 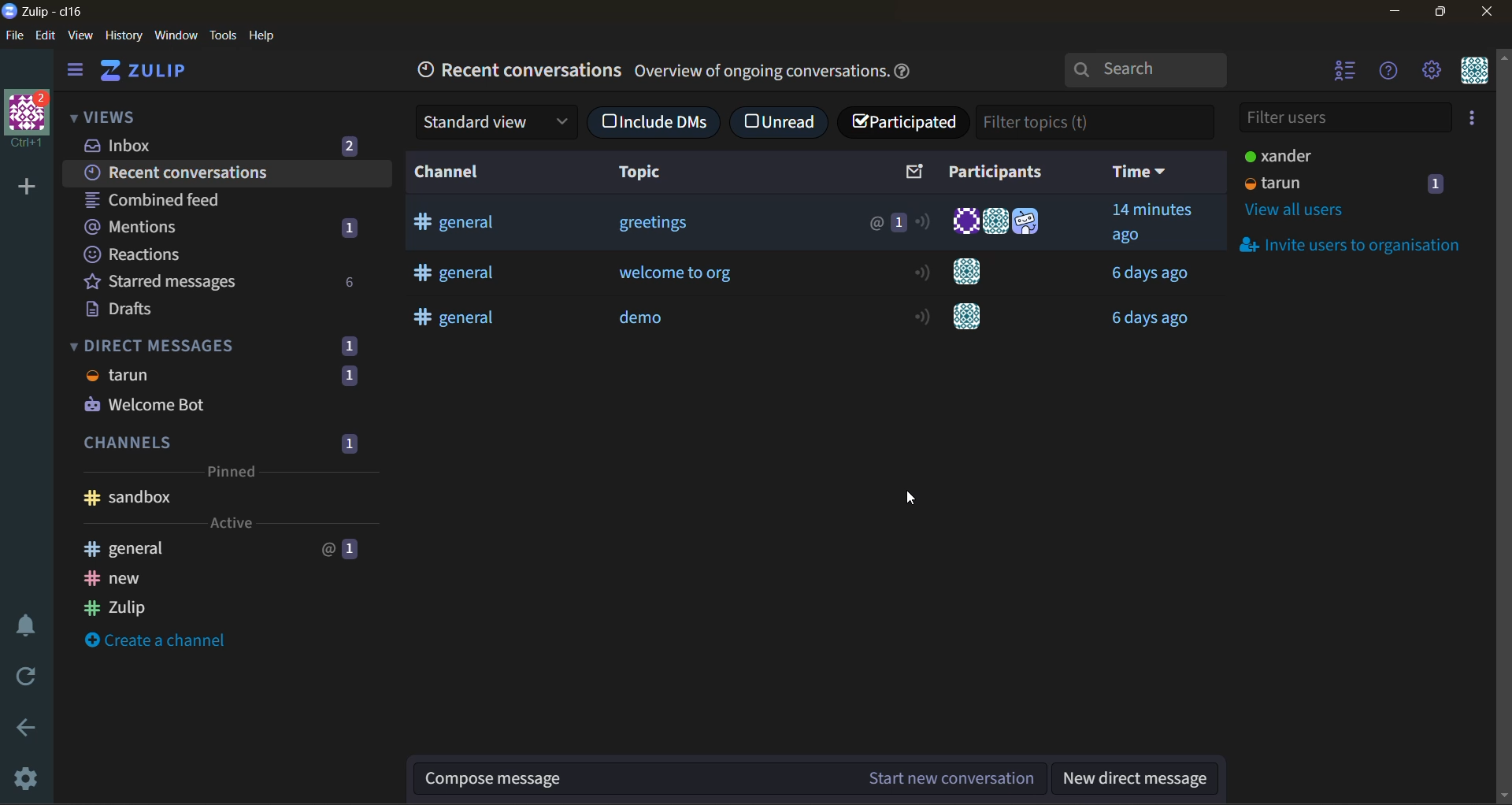 What do you see at coordinates (47, 35) in the screenshot?
I see `edit` at bounding box center [47, 35].